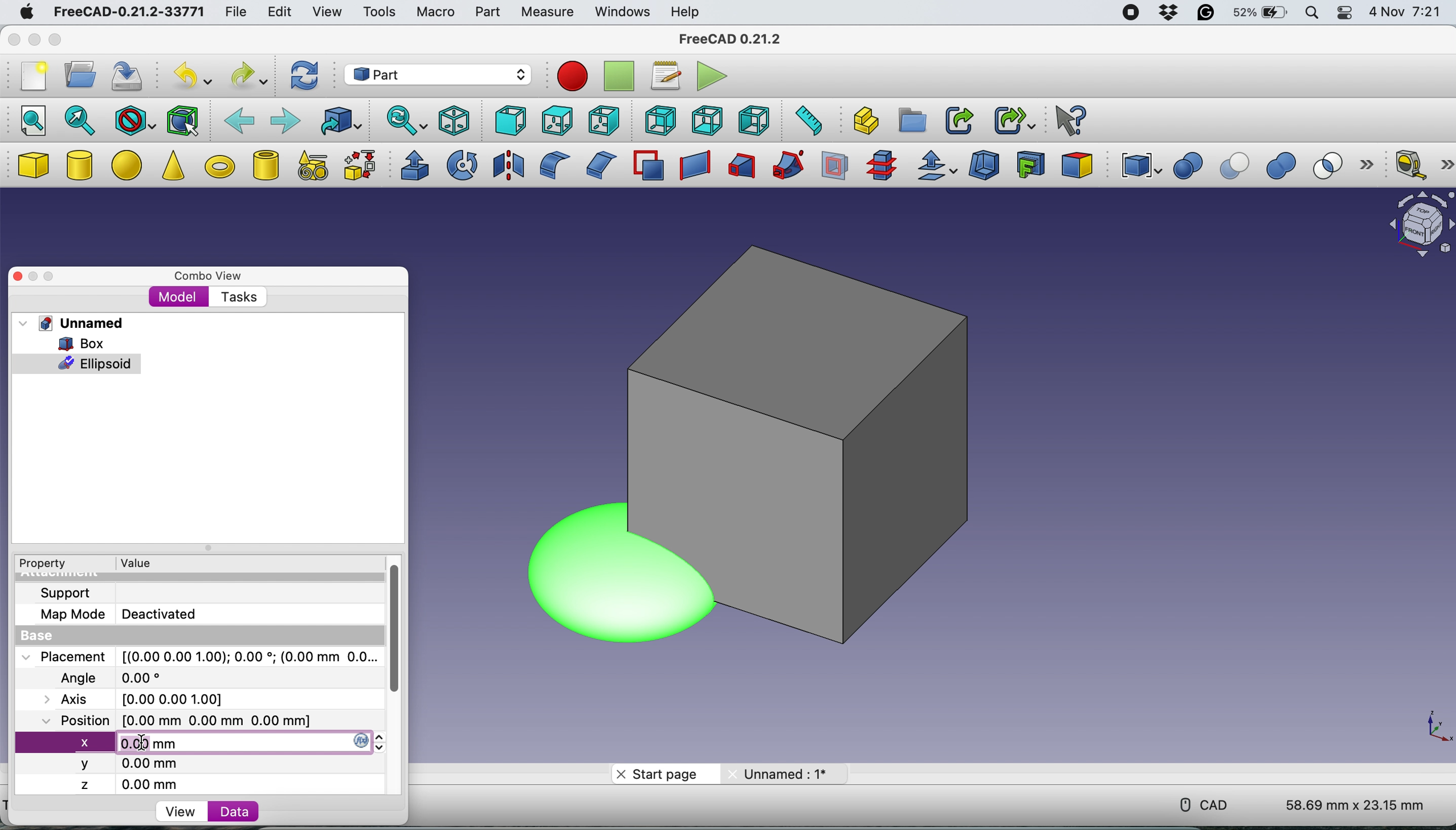 The height and width of the screenshot is (830, 1456). What do you see at coordinates (1130, 14) in the screenshot?
I see `screen recorder` at bounding box center [1130, 14].